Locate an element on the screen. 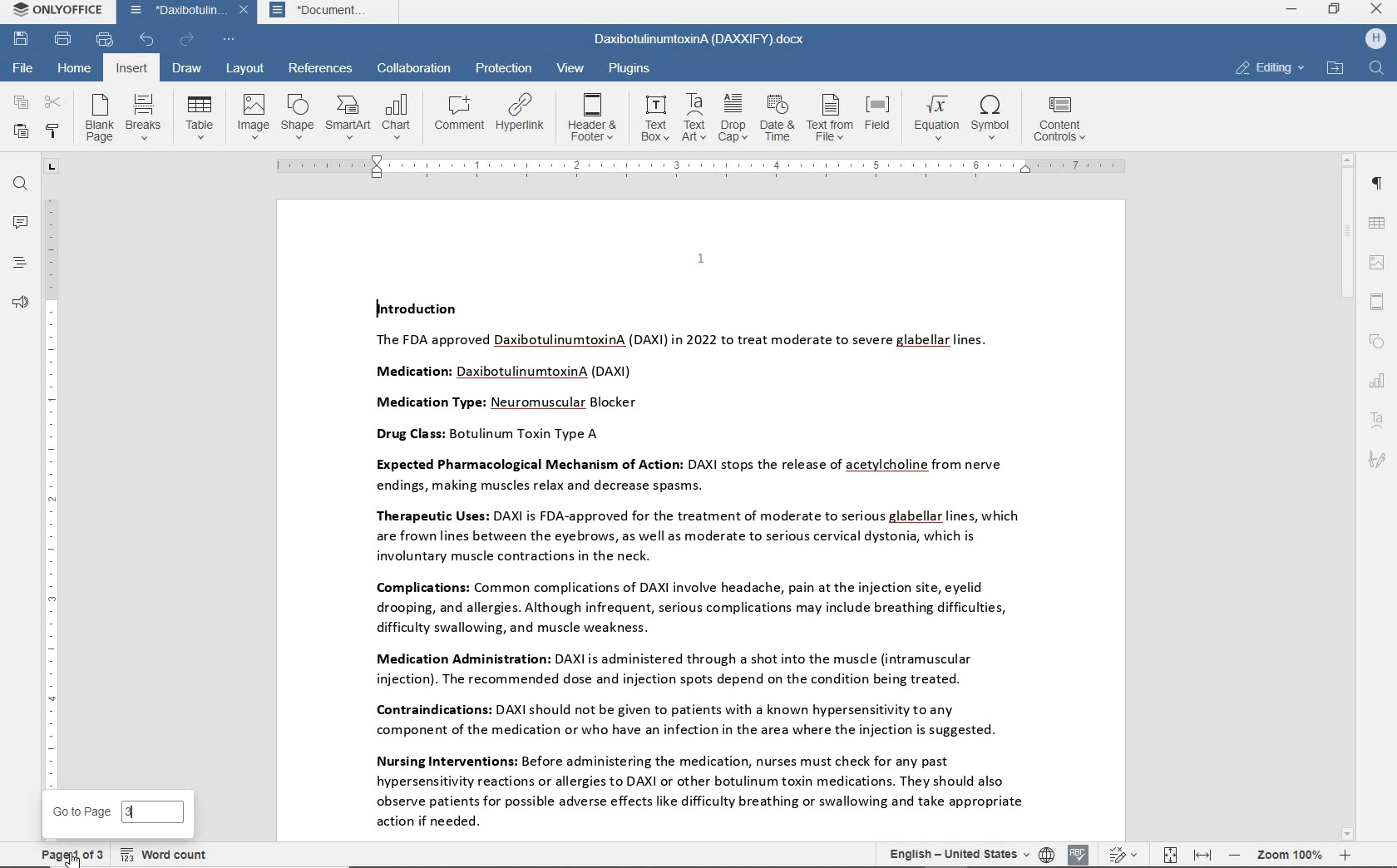 The height and width of the screenshot is (868, 1397). shape is located at coordinates (1377, 343).